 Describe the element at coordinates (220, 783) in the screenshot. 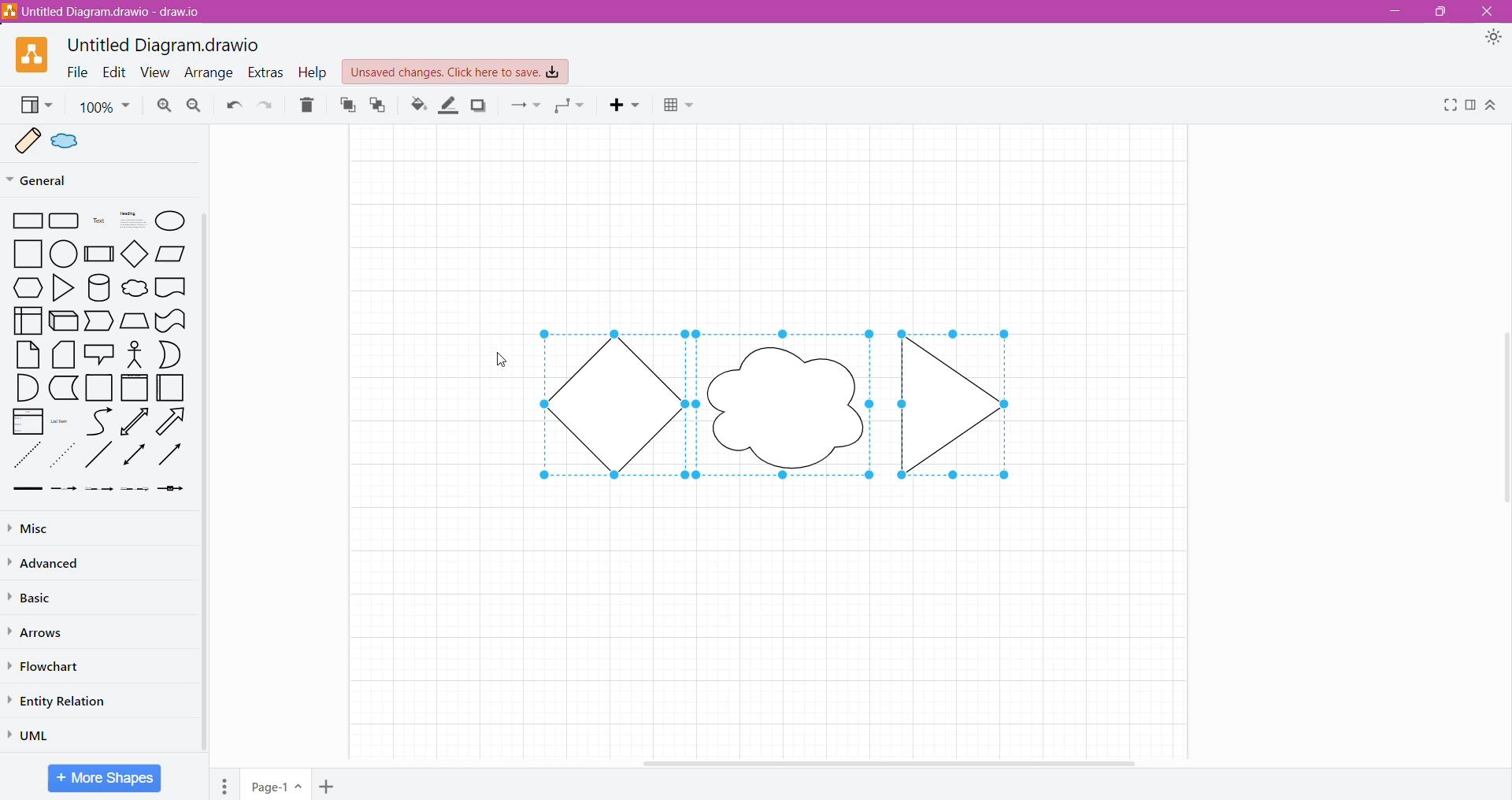

I see `Pages` at that location.